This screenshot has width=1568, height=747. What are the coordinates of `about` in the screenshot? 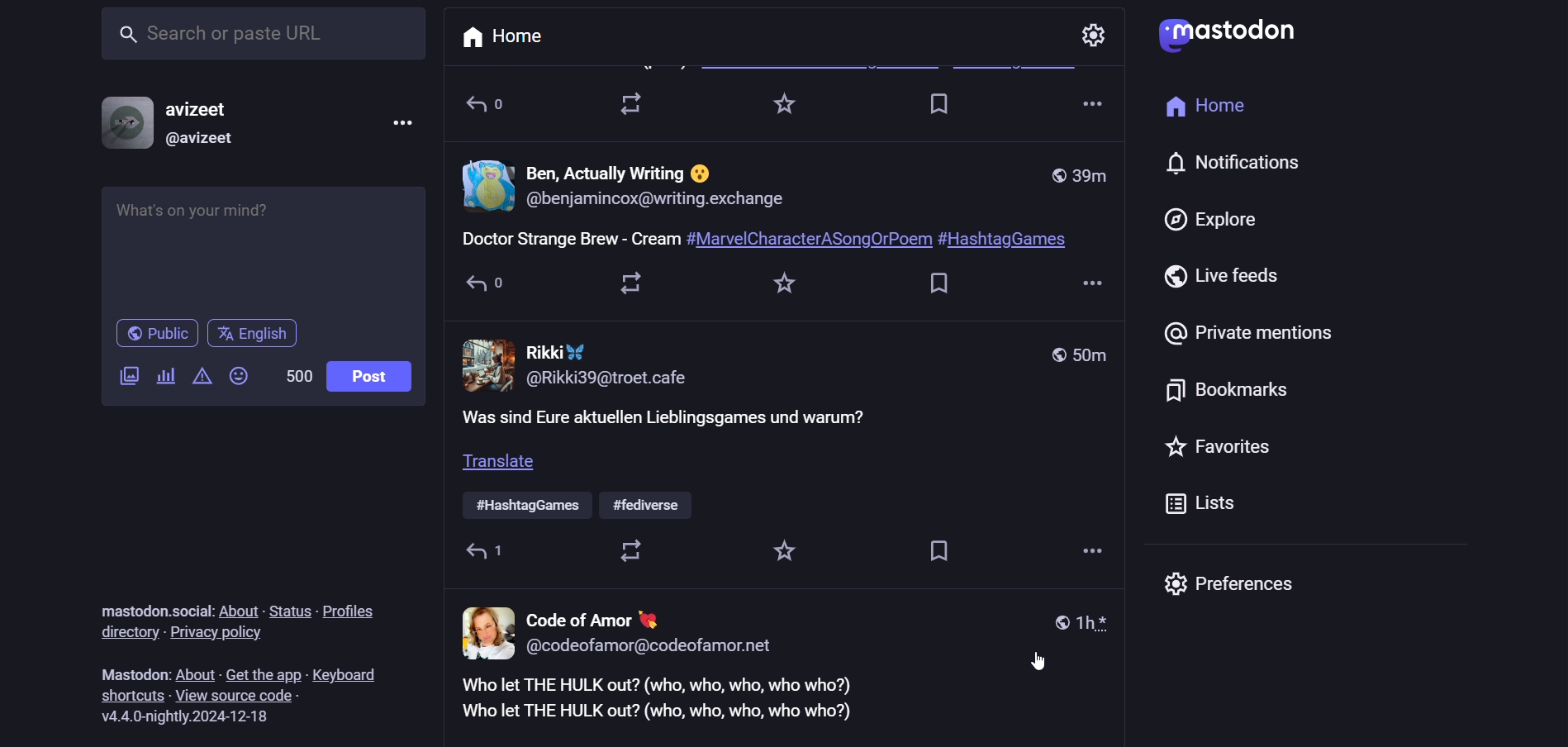 It's located at (235, 610).